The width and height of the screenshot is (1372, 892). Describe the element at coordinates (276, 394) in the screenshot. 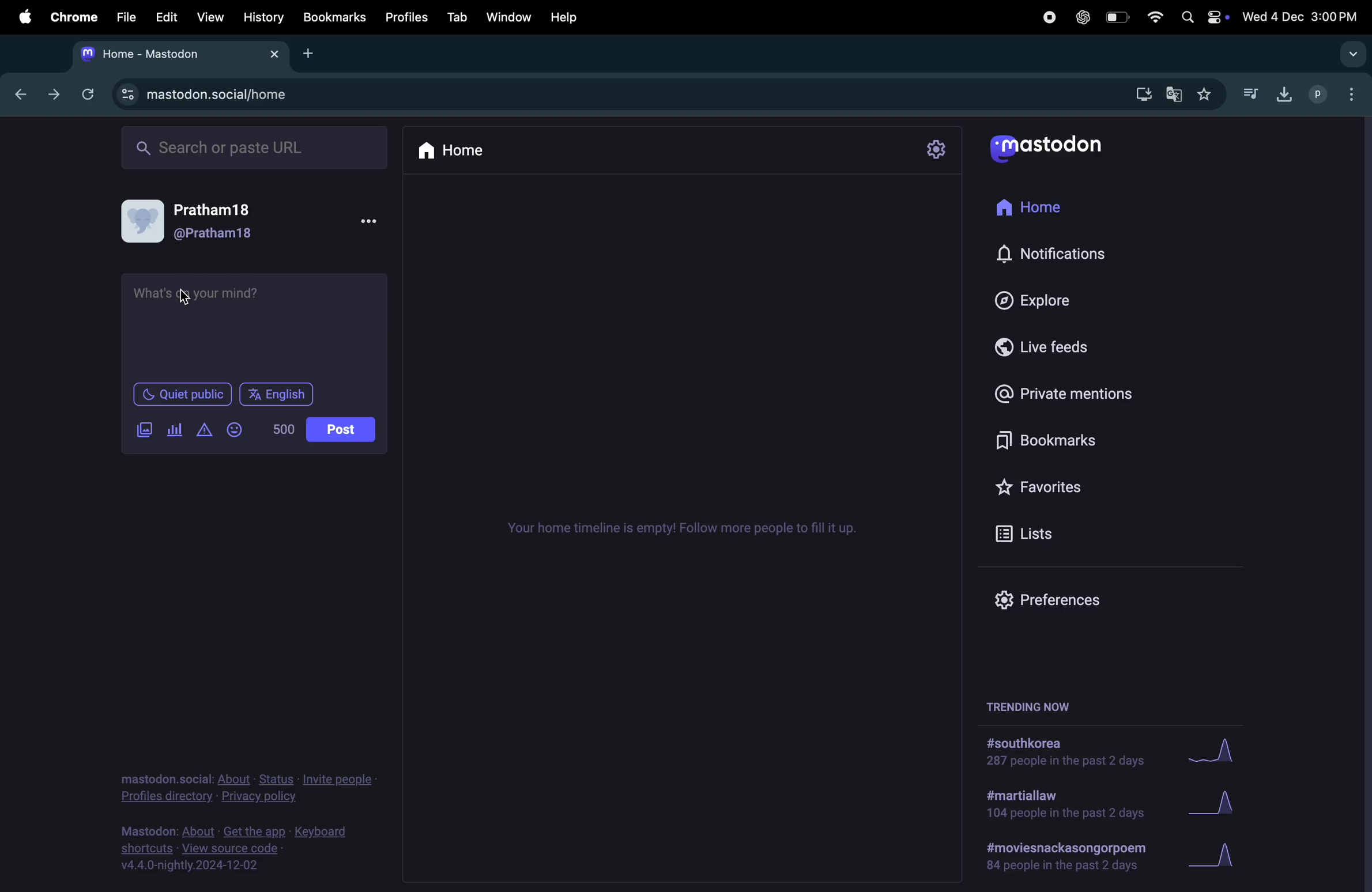

I see `English` at that location.